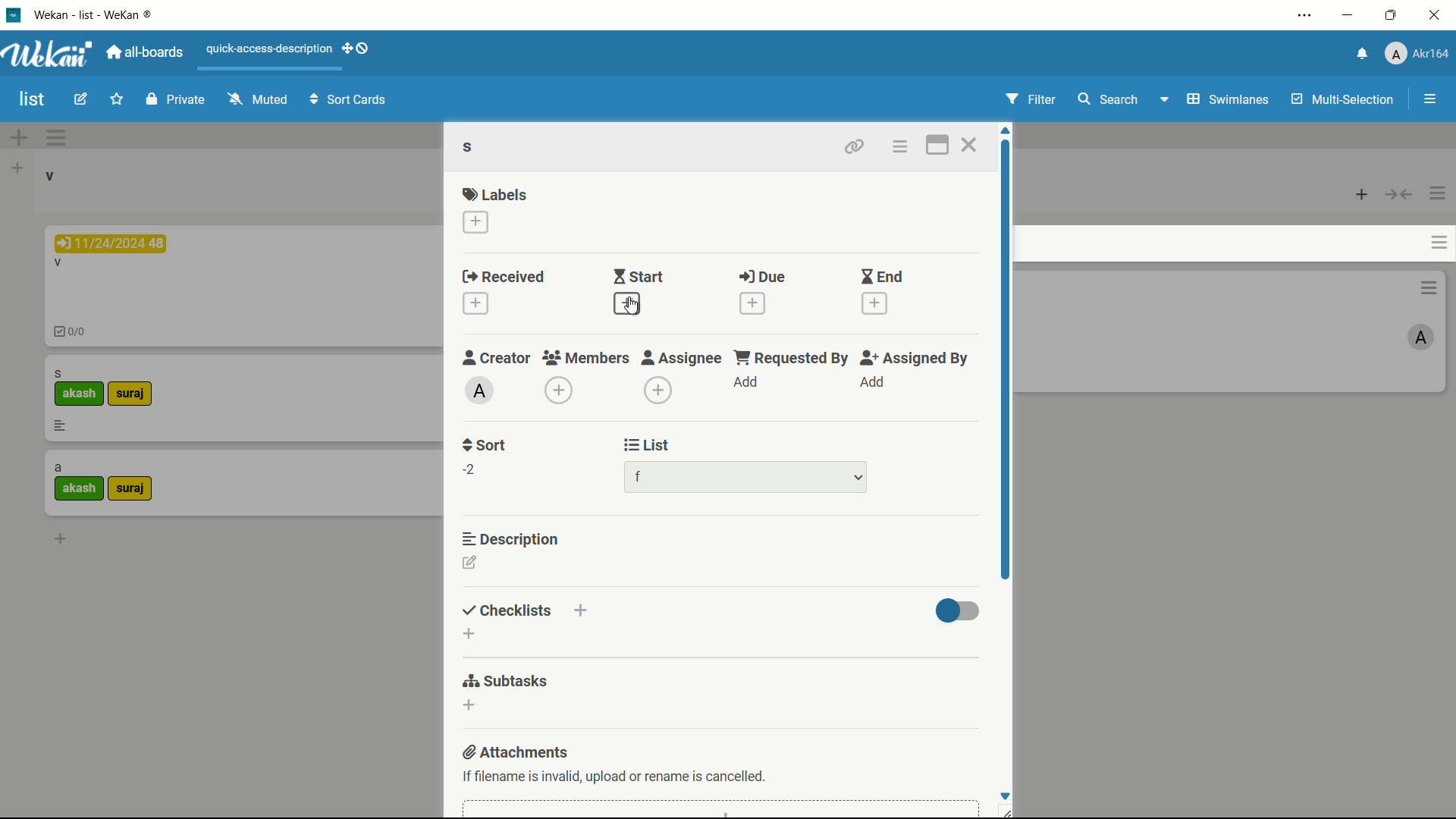  What do you see at coordinates (1005, 359) in the screenshot?
I see `scroll bar` at bounding box center [1005, 359].